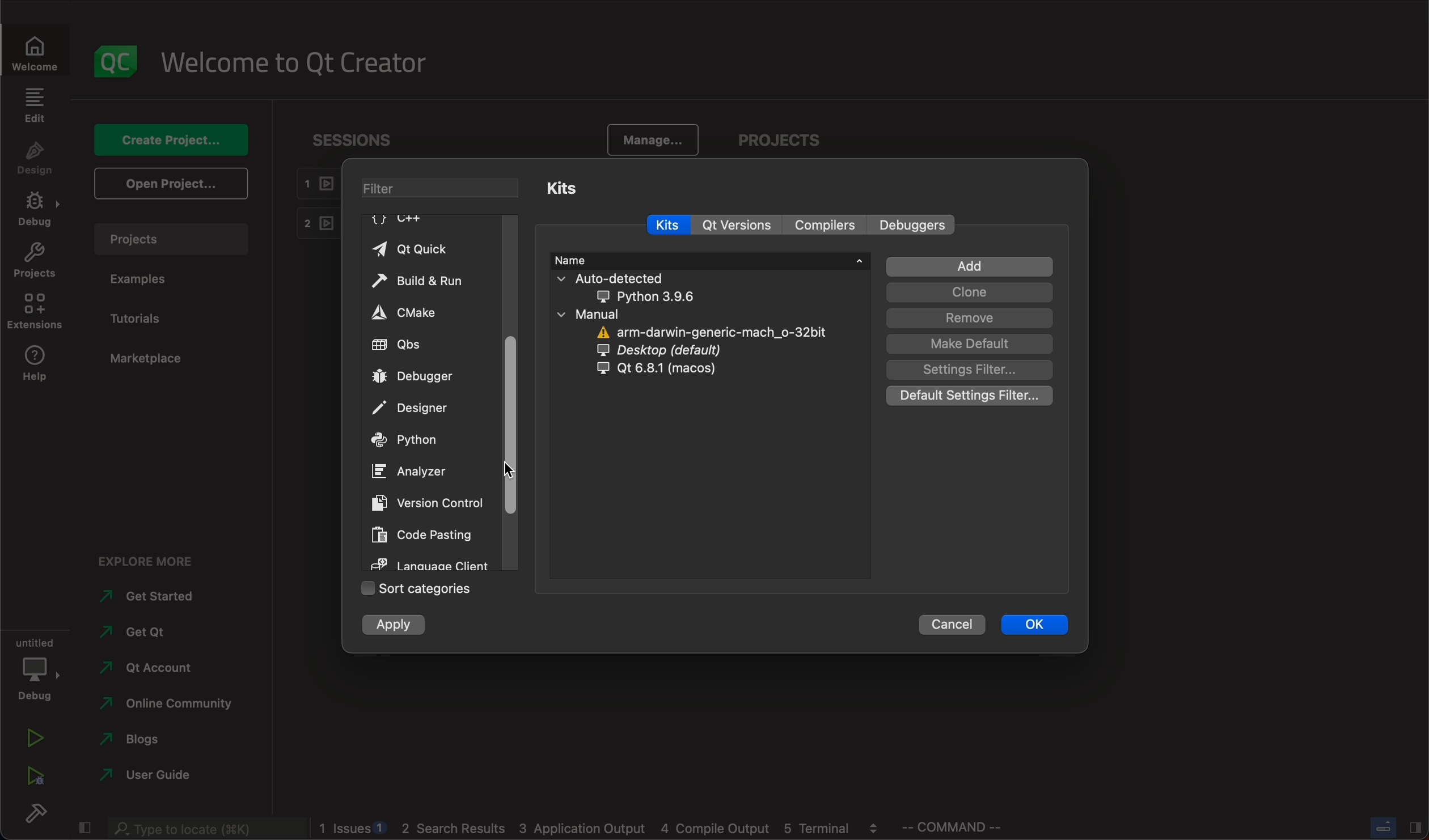 The image size is (1429, 840). What do you see at coordinates (653, 139) in the screenshot?
I see `manage` at bounding box center [653, 139].